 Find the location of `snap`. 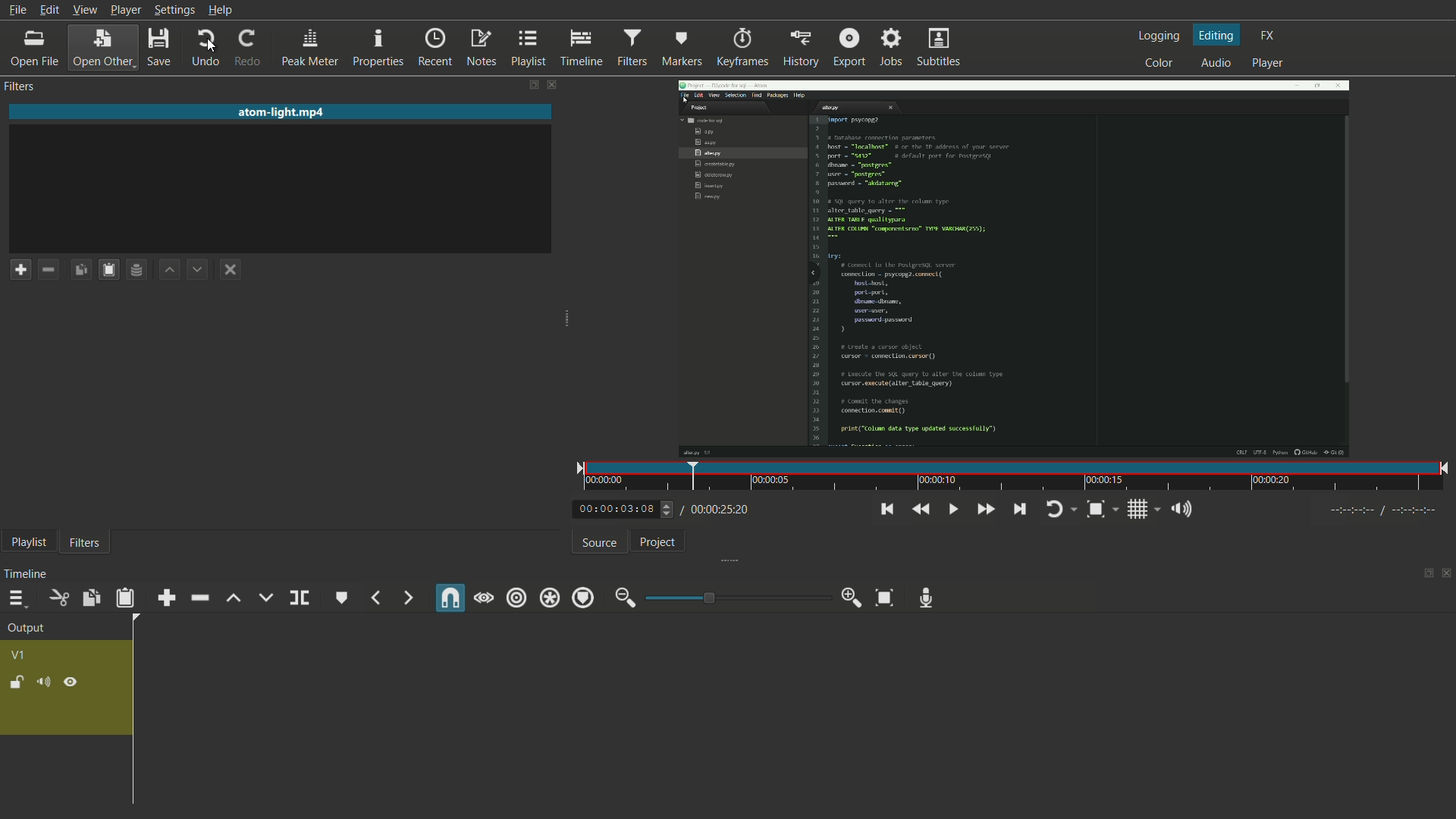

snap is located at coordinates (449, 598).